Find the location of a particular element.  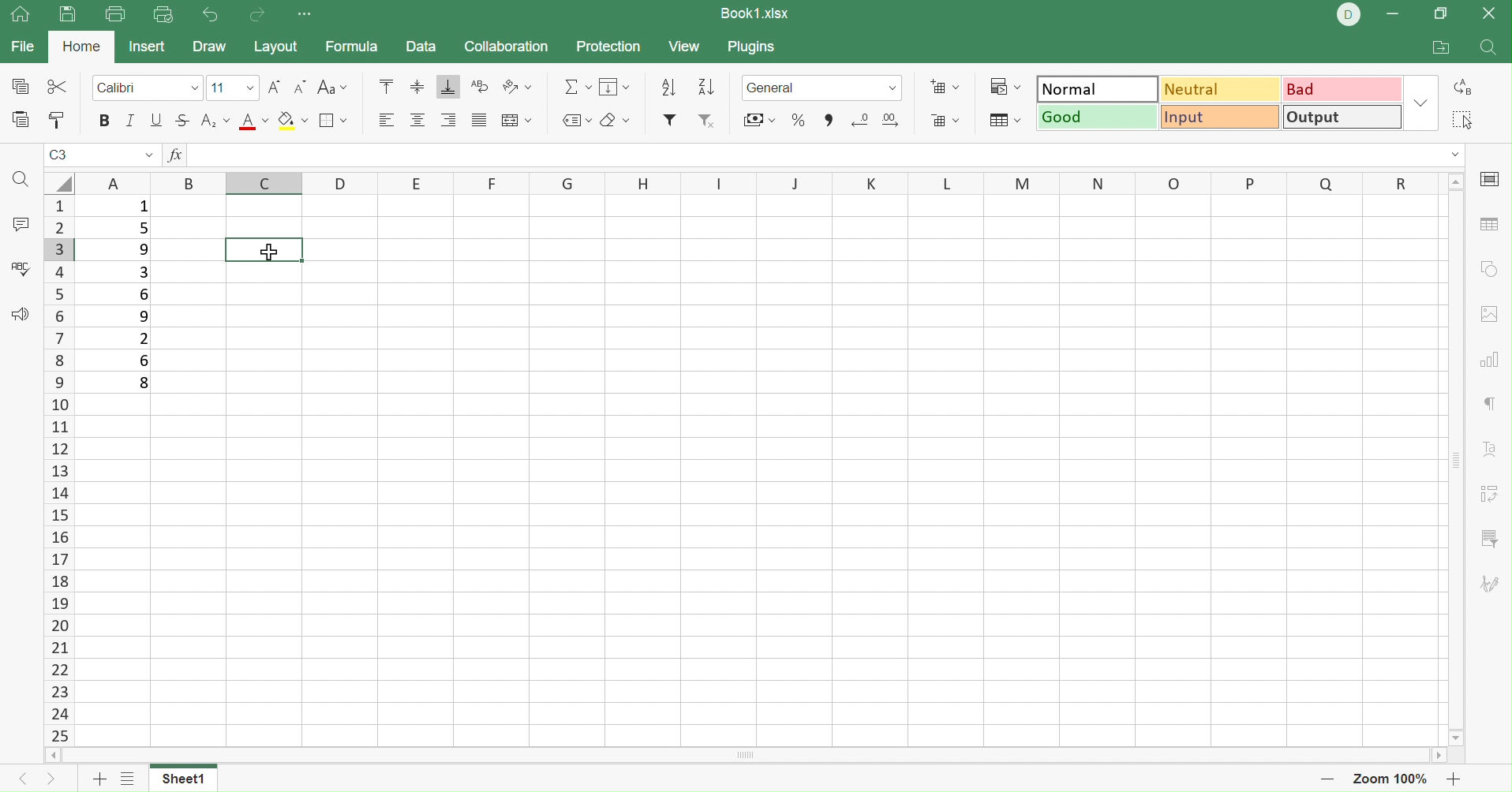

Zoom in is located at coordinates (1458, 779).